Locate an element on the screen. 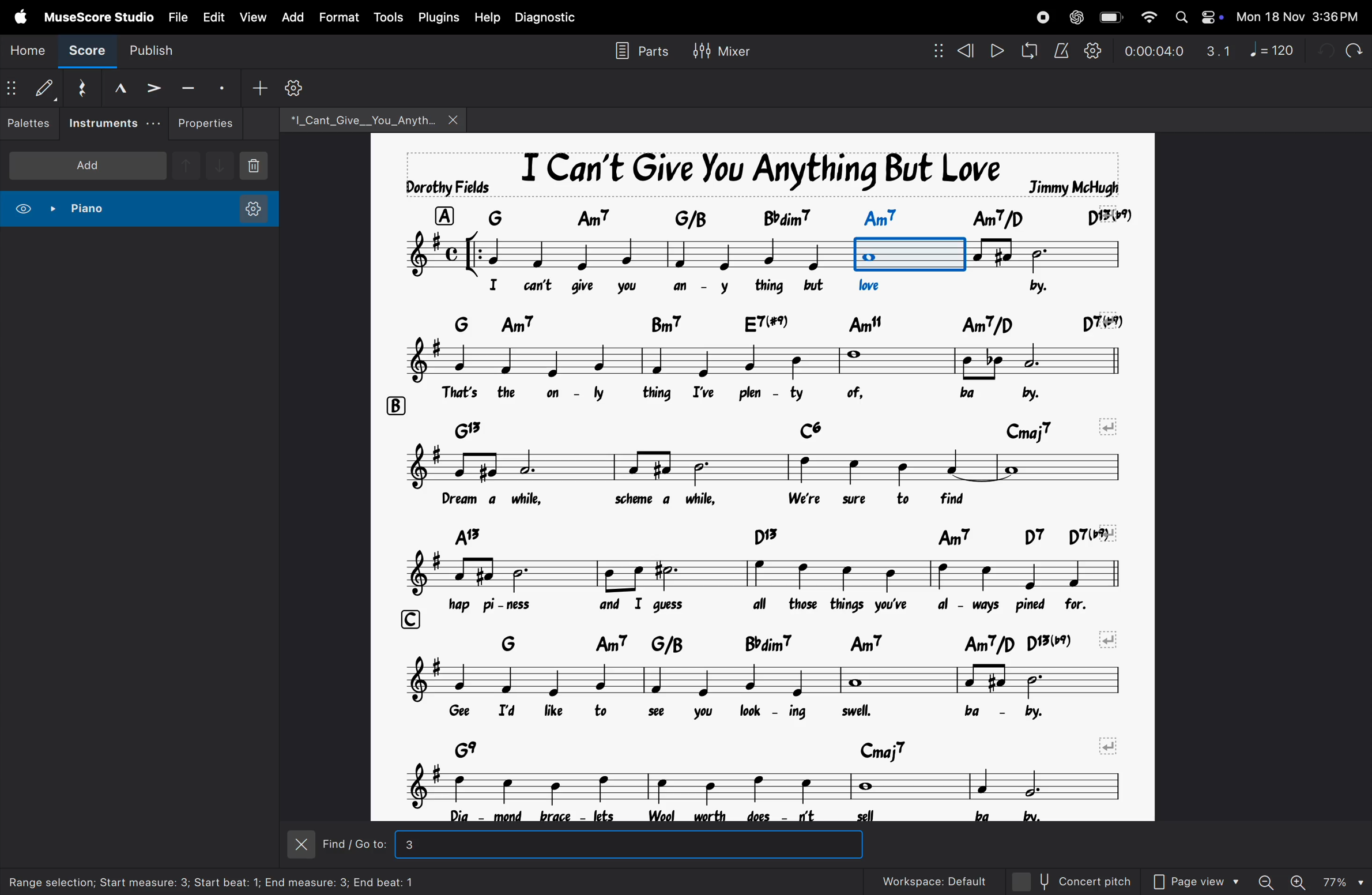  notes is located at coordinates (772, 466).